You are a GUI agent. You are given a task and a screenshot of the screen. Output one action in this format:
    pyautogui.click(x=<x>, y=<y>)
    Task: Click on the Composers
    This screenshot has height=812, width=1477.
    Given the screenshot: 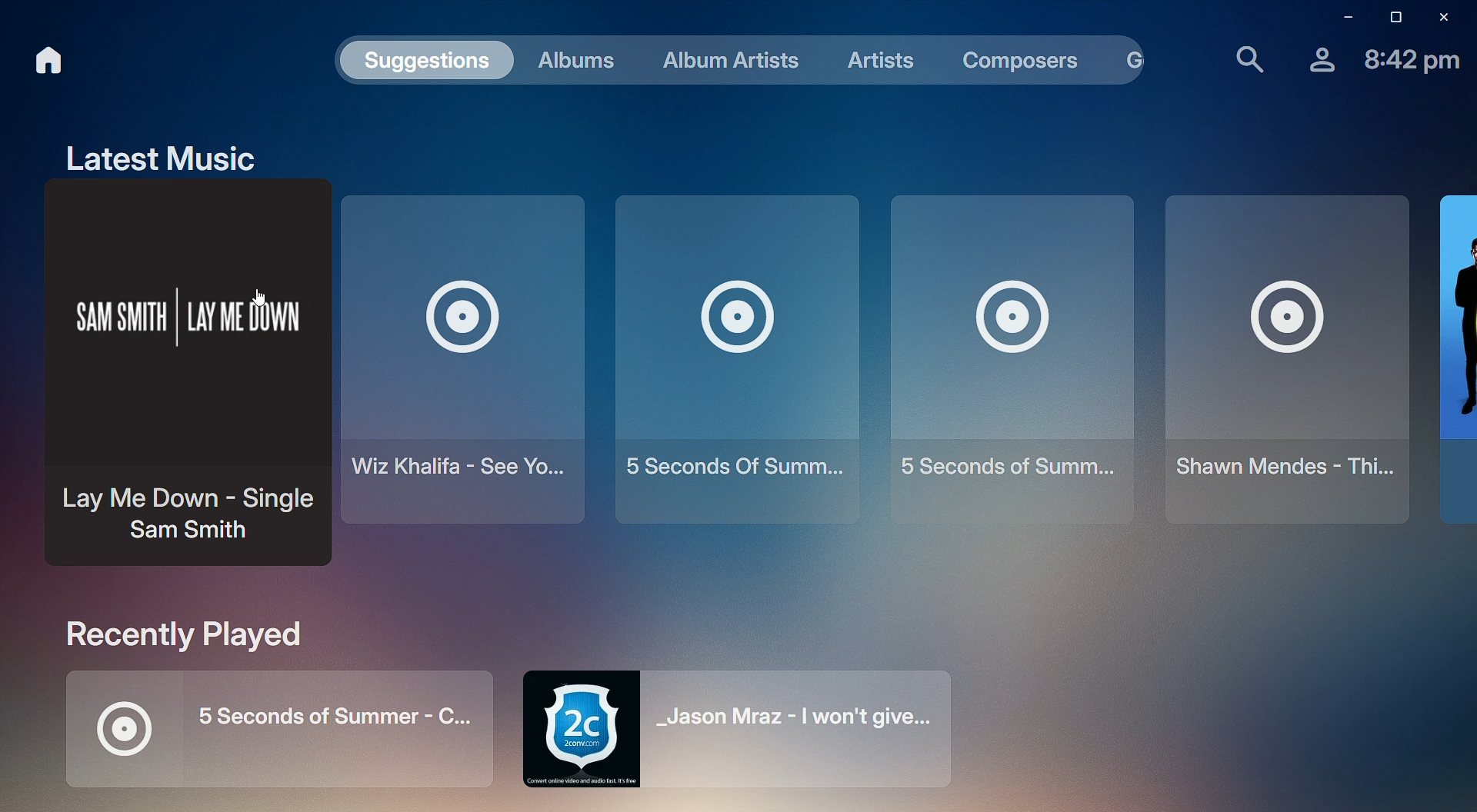 What is the action you would take?
    pyautogui.click(x=1019, y=60)
    